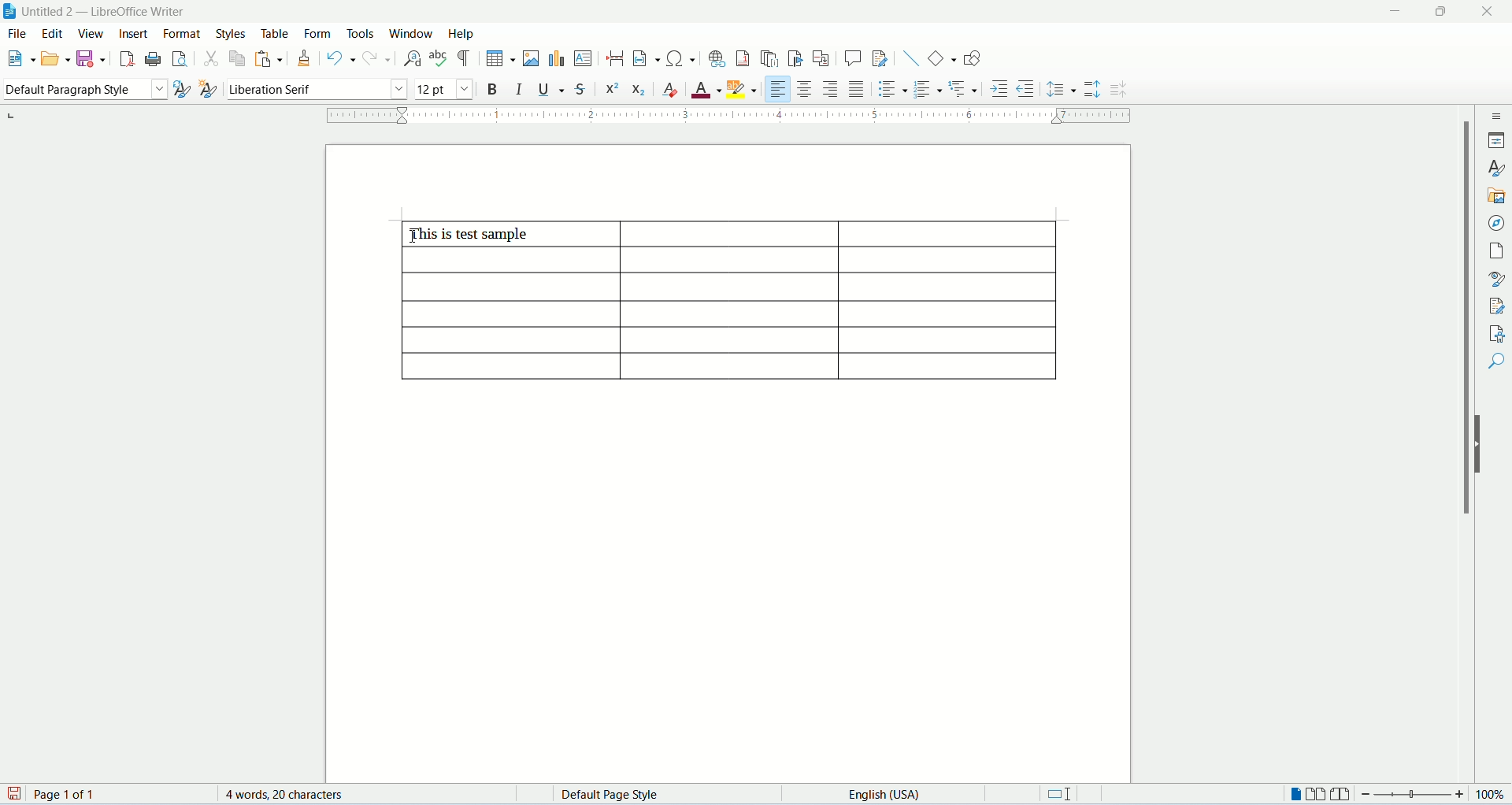 The width and height of the screenshot is (1512, 805). What do you see at coordinates (180, 58) in the screenshot?
I see `print preview` at bounding box center [180, 58].